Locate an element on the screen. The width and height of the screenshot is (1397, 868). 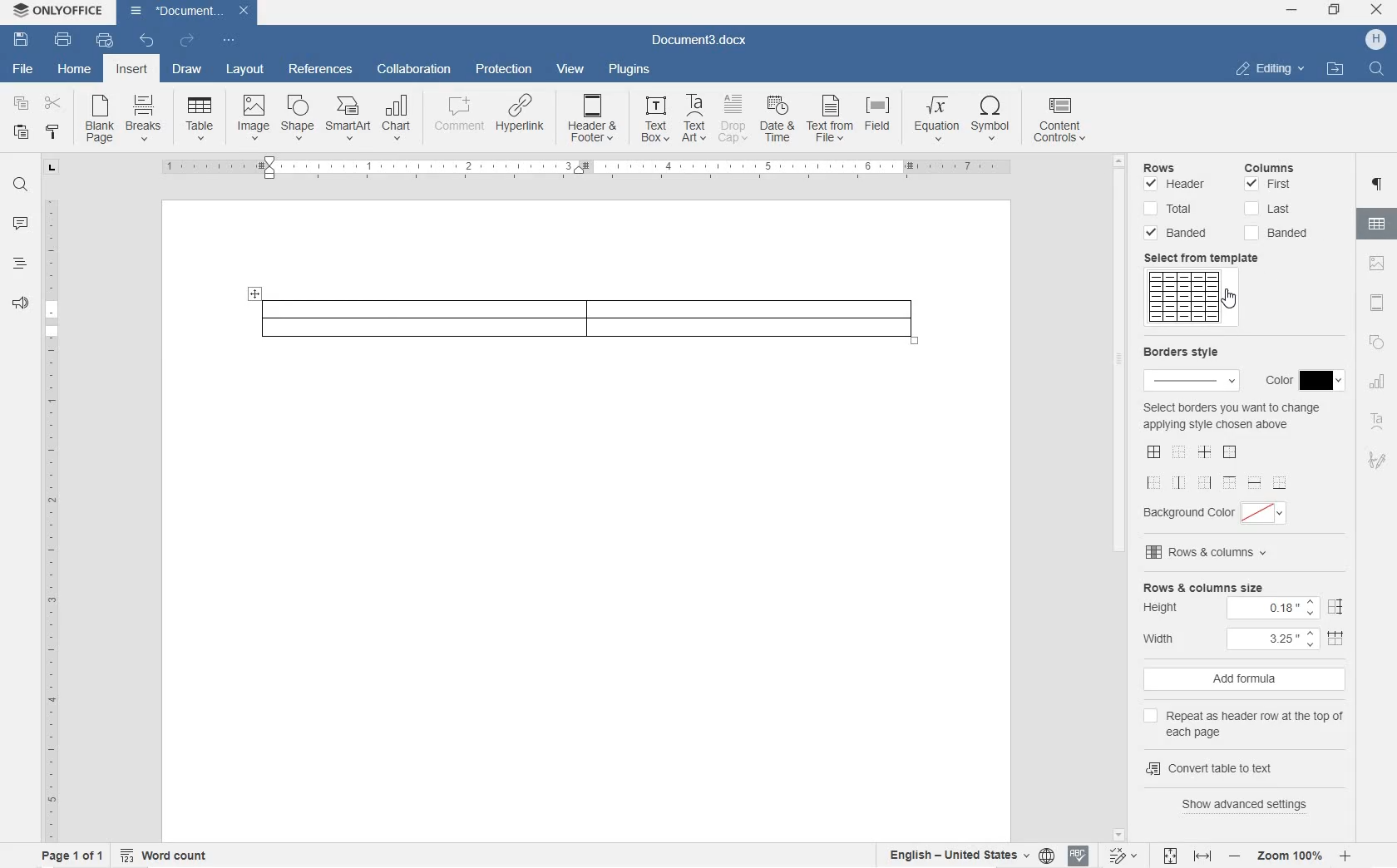
ZOOM IN OR OUT is located at coordinates (1291, 855).